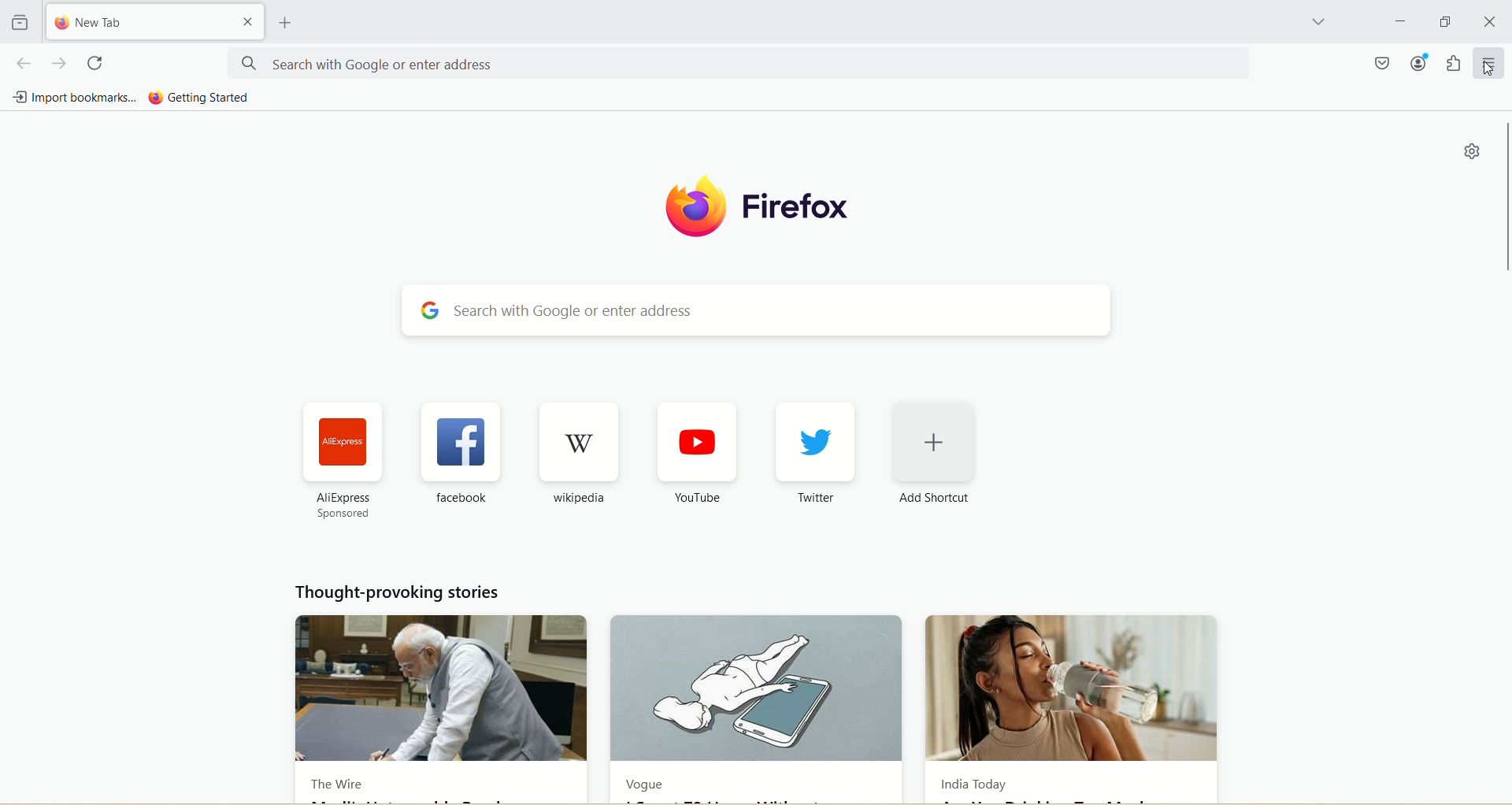 The width and height of the screenshot is (1512, 805). Describe the element at coordinates (1456, 62) in the screenshot. I see `extensions` at that location.